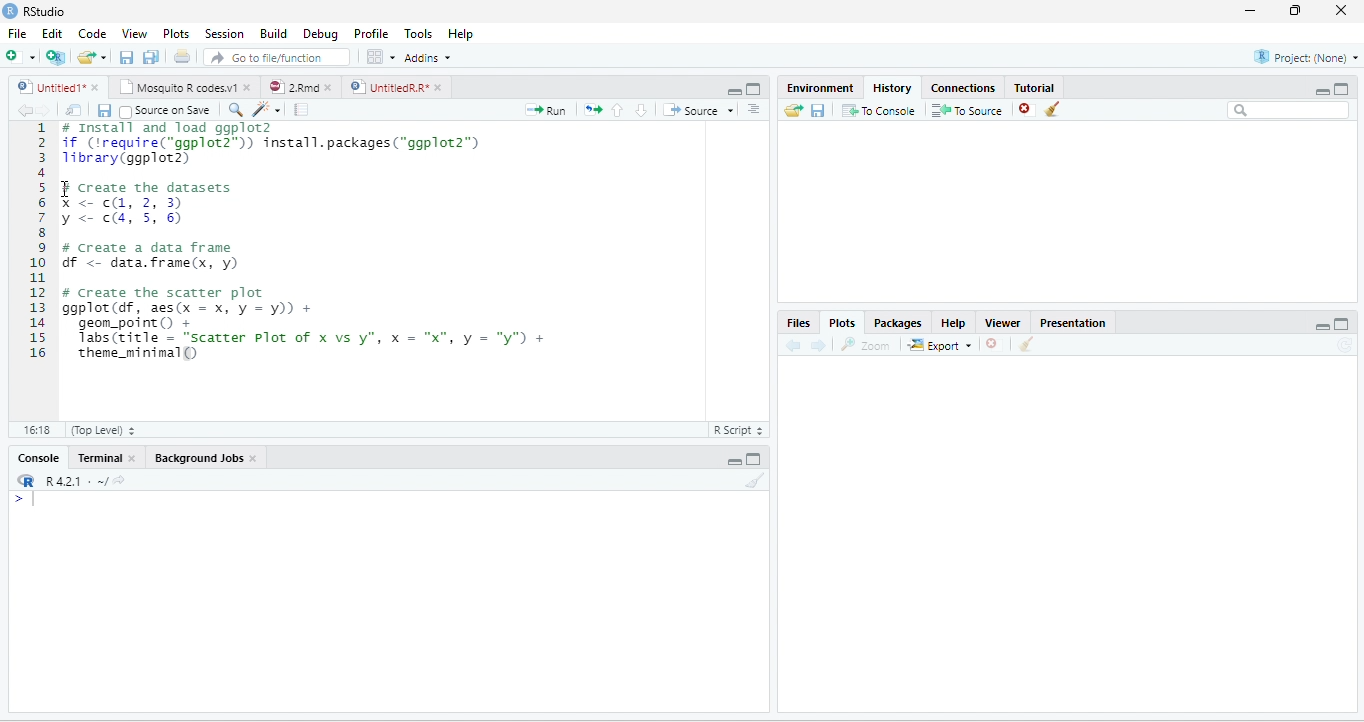 Image resolution: width=1364 pixels, height=722 pixels. Describe the element at coordinates (104, 111) in the screenshot. I see `Save current document` at that location.